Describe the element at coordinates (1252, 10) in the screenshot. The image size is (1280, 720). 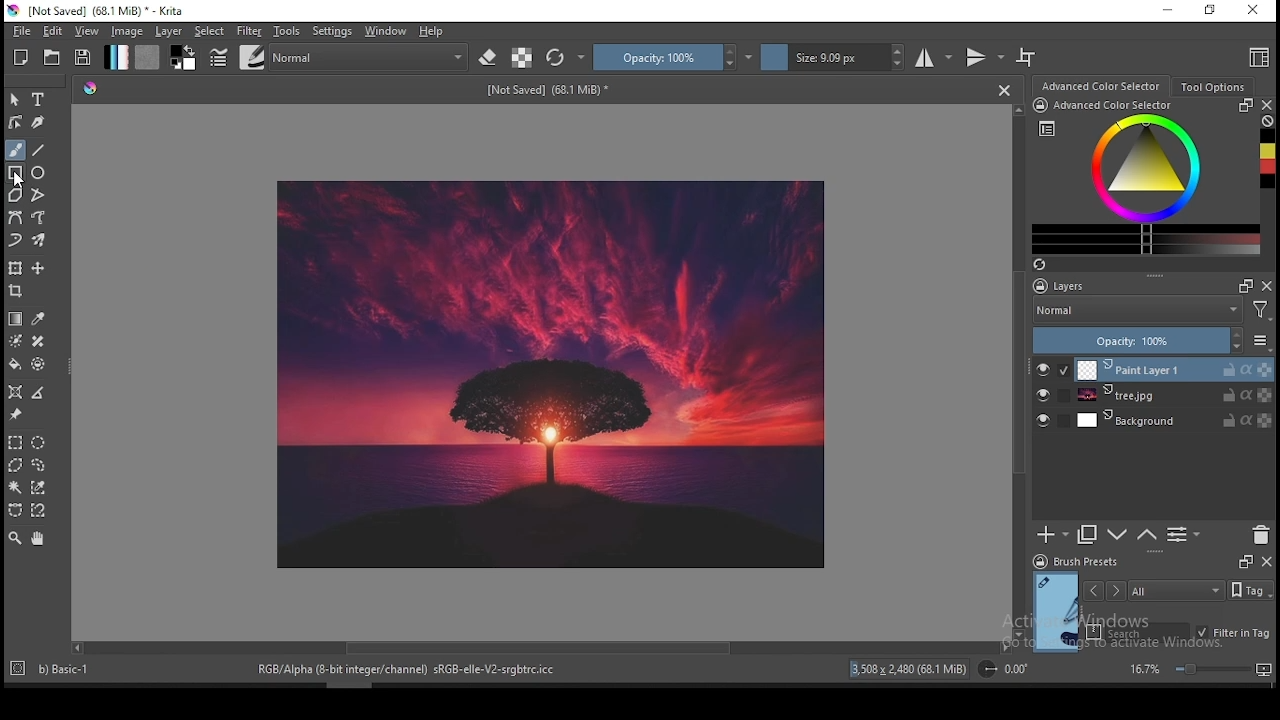
I see `close window` at that location.